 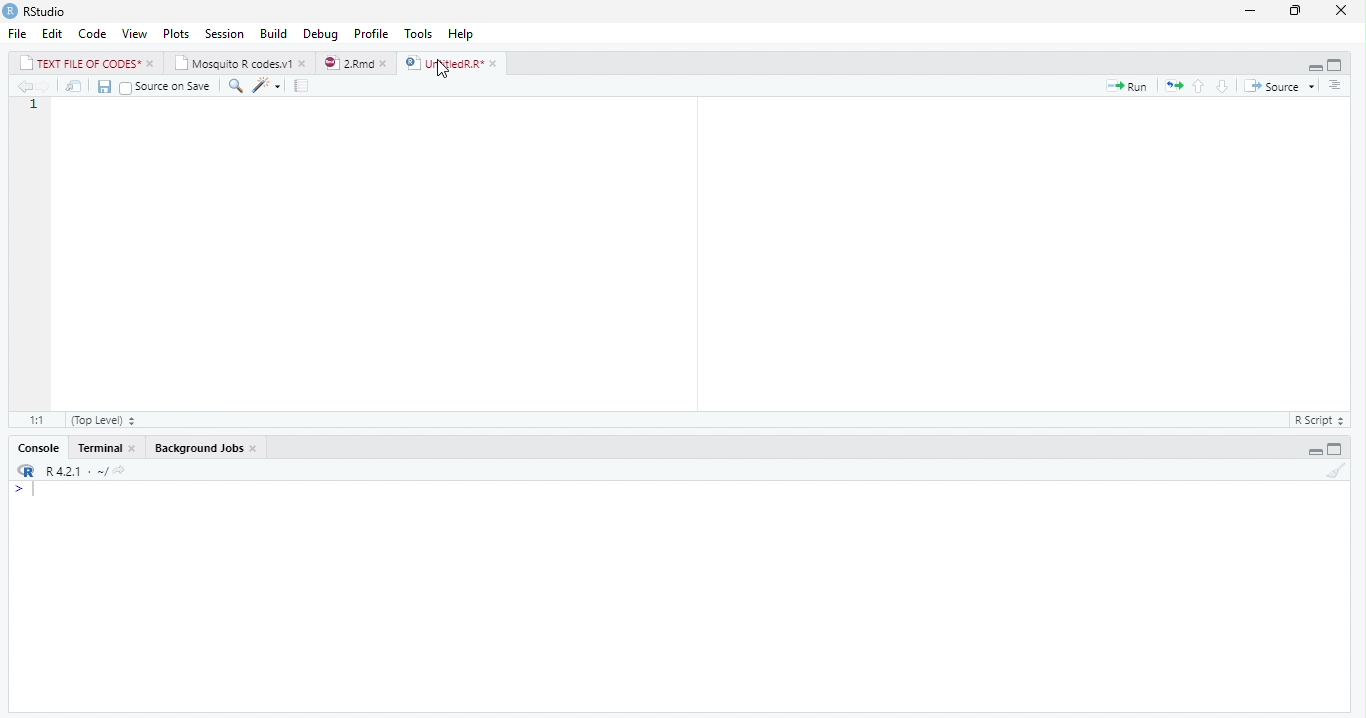 I want to click on Full Height, so click(x=1338, y=447).